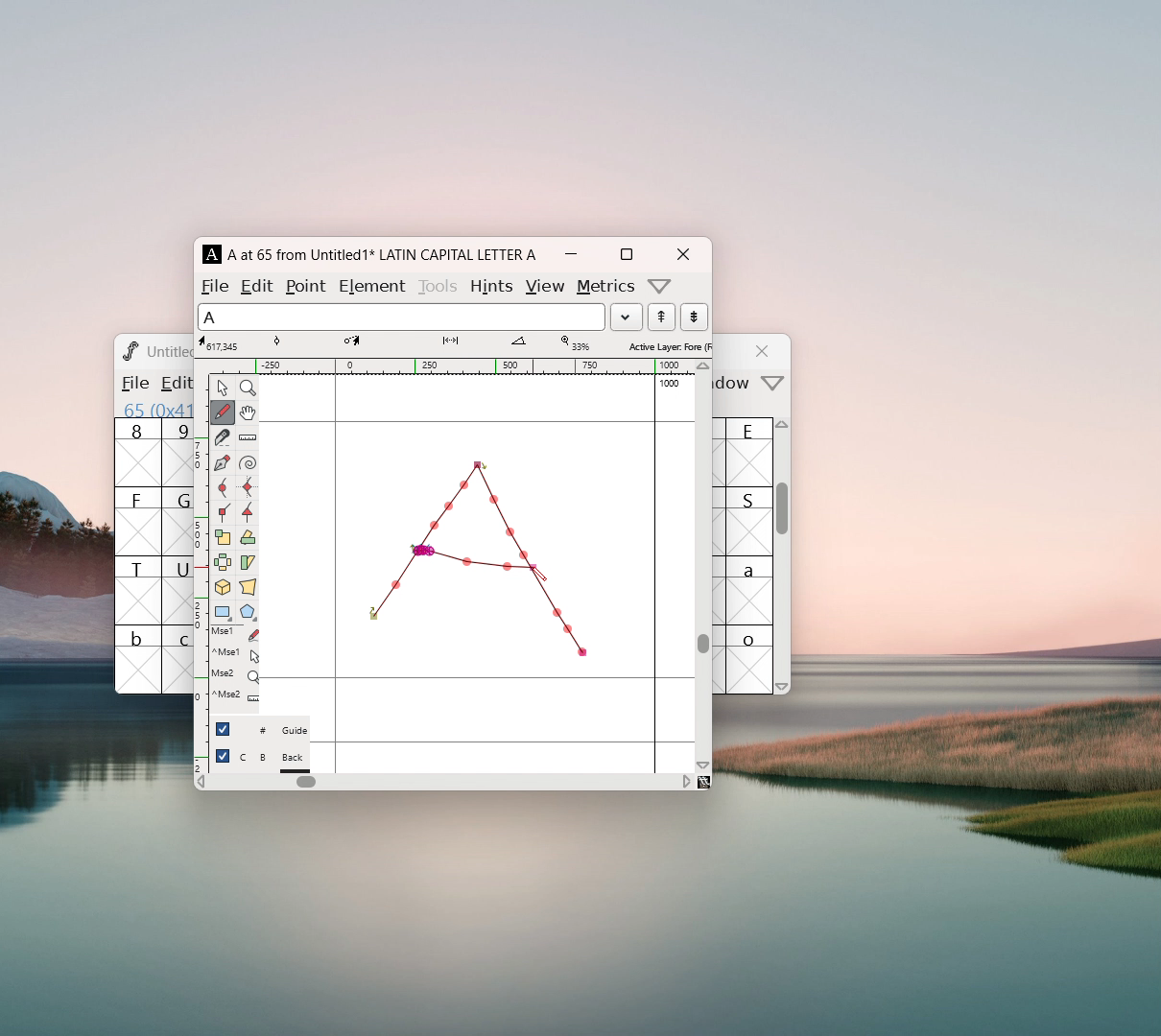 This screenshot has width=1161, height=1036. I want to click on a, so click(750, 590).